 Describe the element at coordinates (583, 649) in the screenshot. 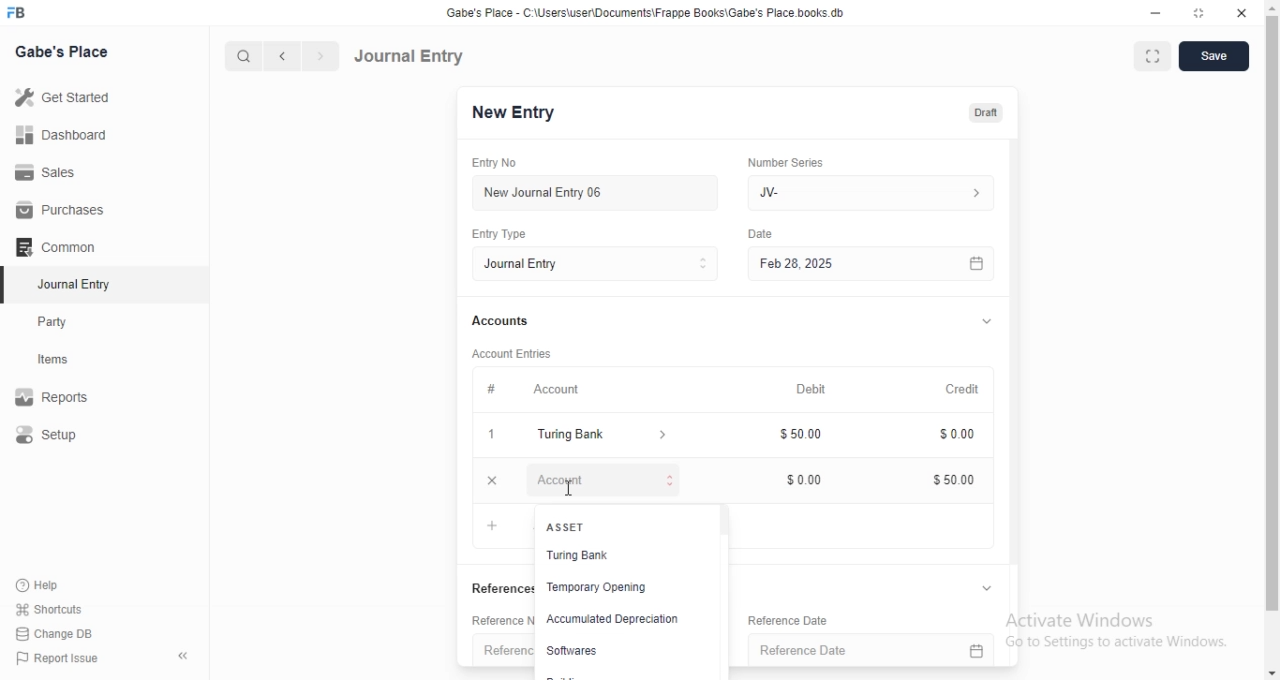

I see ` Softwares` at that location.